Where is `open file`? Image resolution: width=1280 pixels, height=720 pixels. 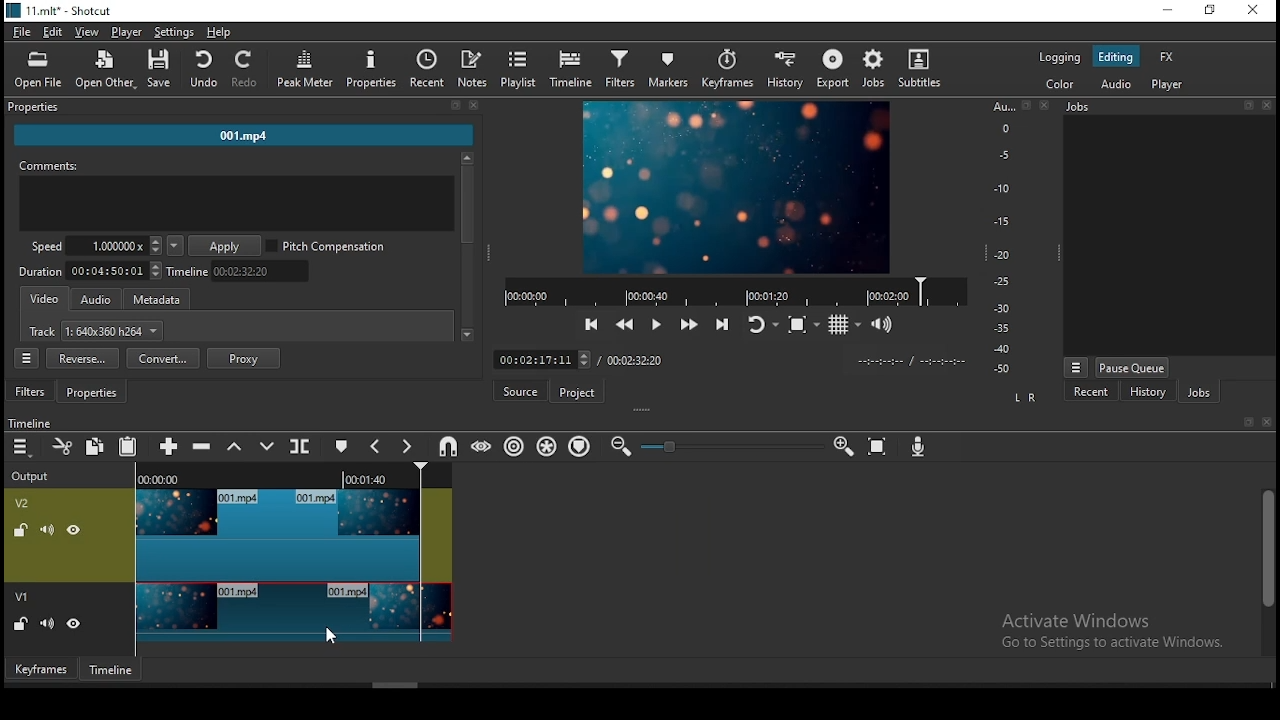
open file is located at coordinates (38, 67).